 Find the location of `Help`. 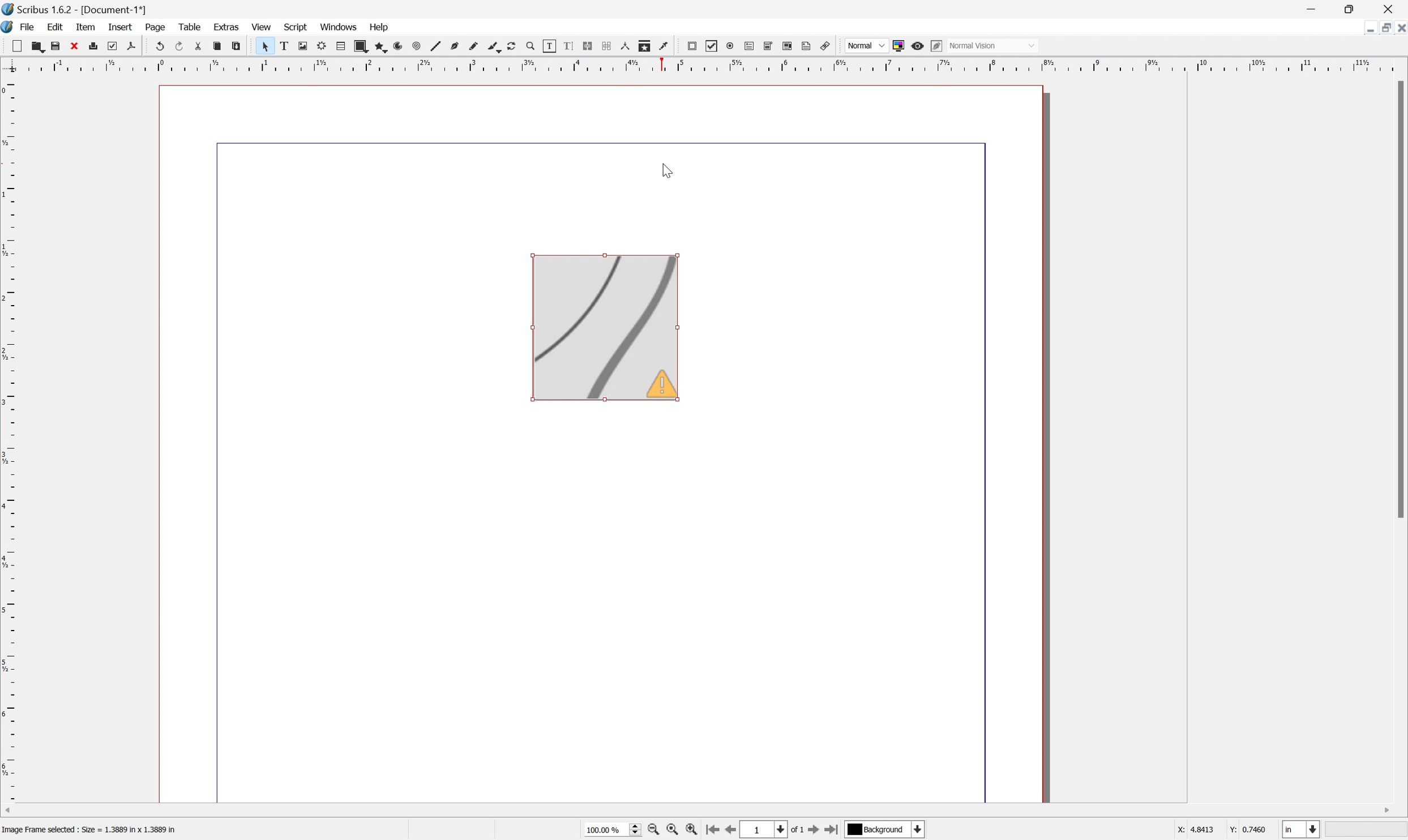

Help is located at coordinates (376, 27).